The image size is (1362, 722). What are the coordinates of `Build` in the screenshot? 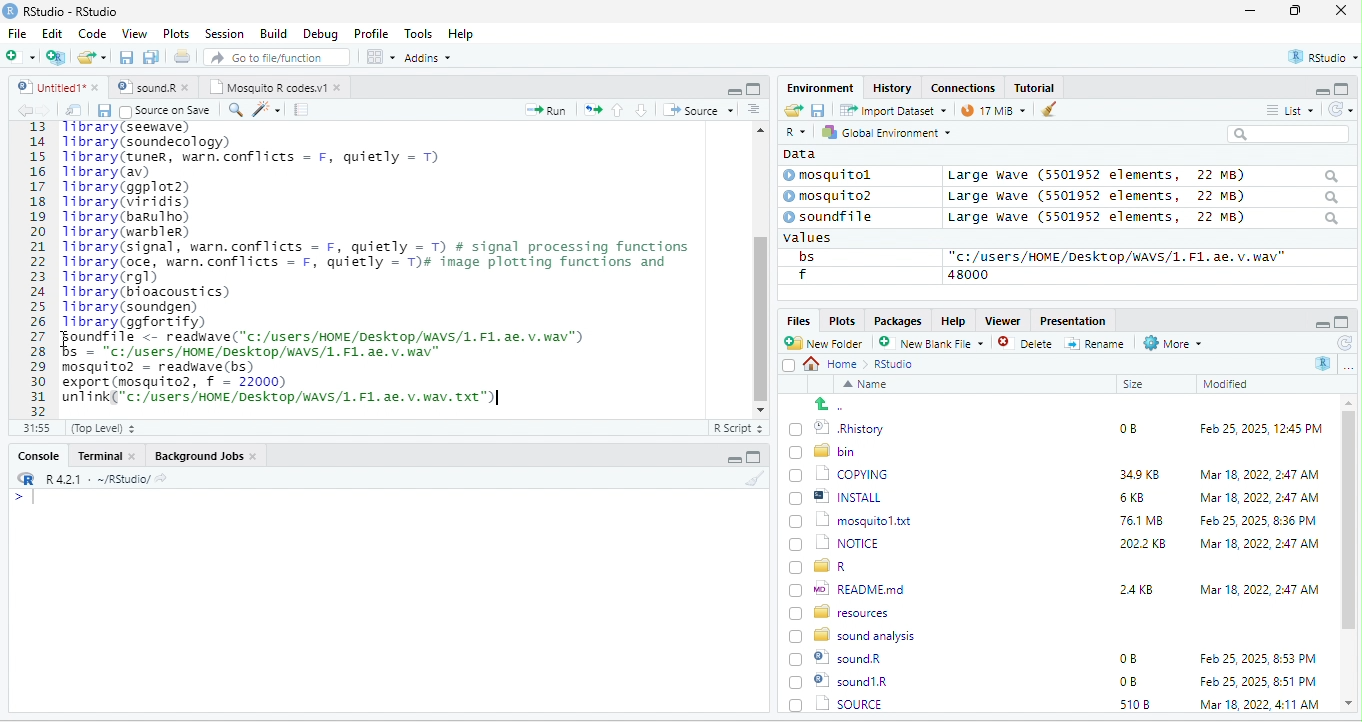 It's located at (274, 33).